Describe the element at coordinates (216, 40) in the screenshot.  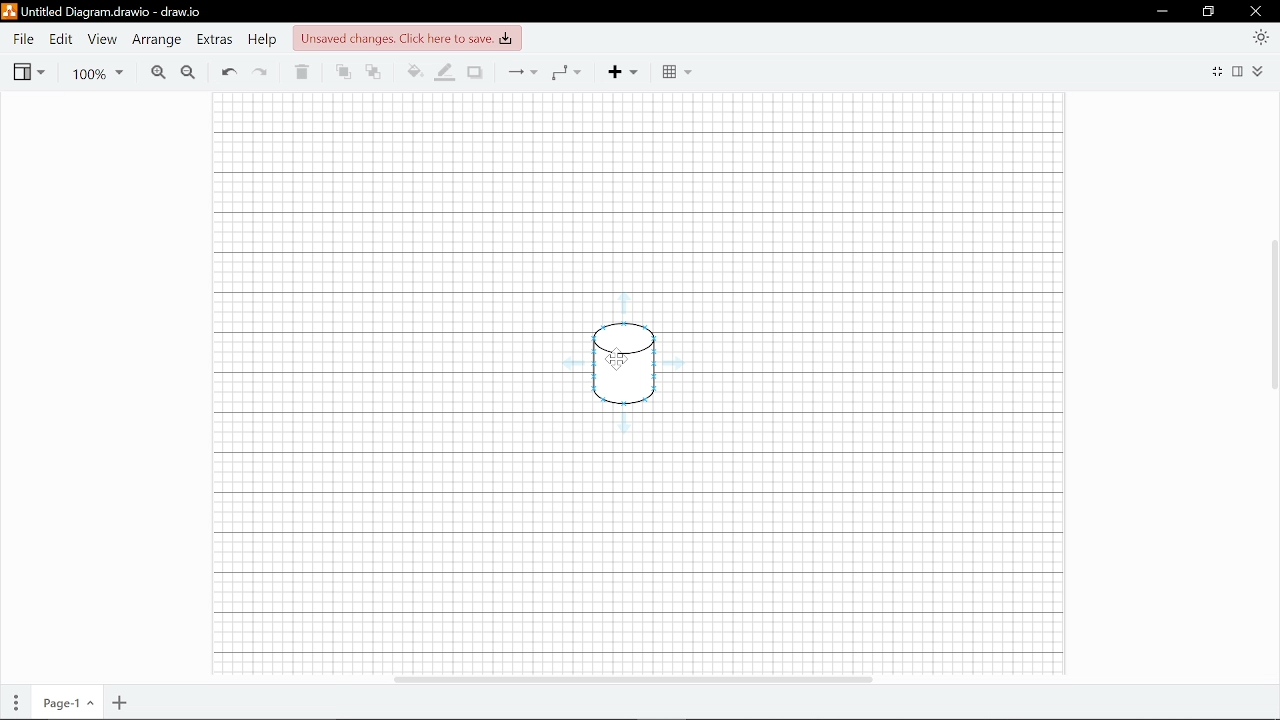
I see `Extras` at that location.